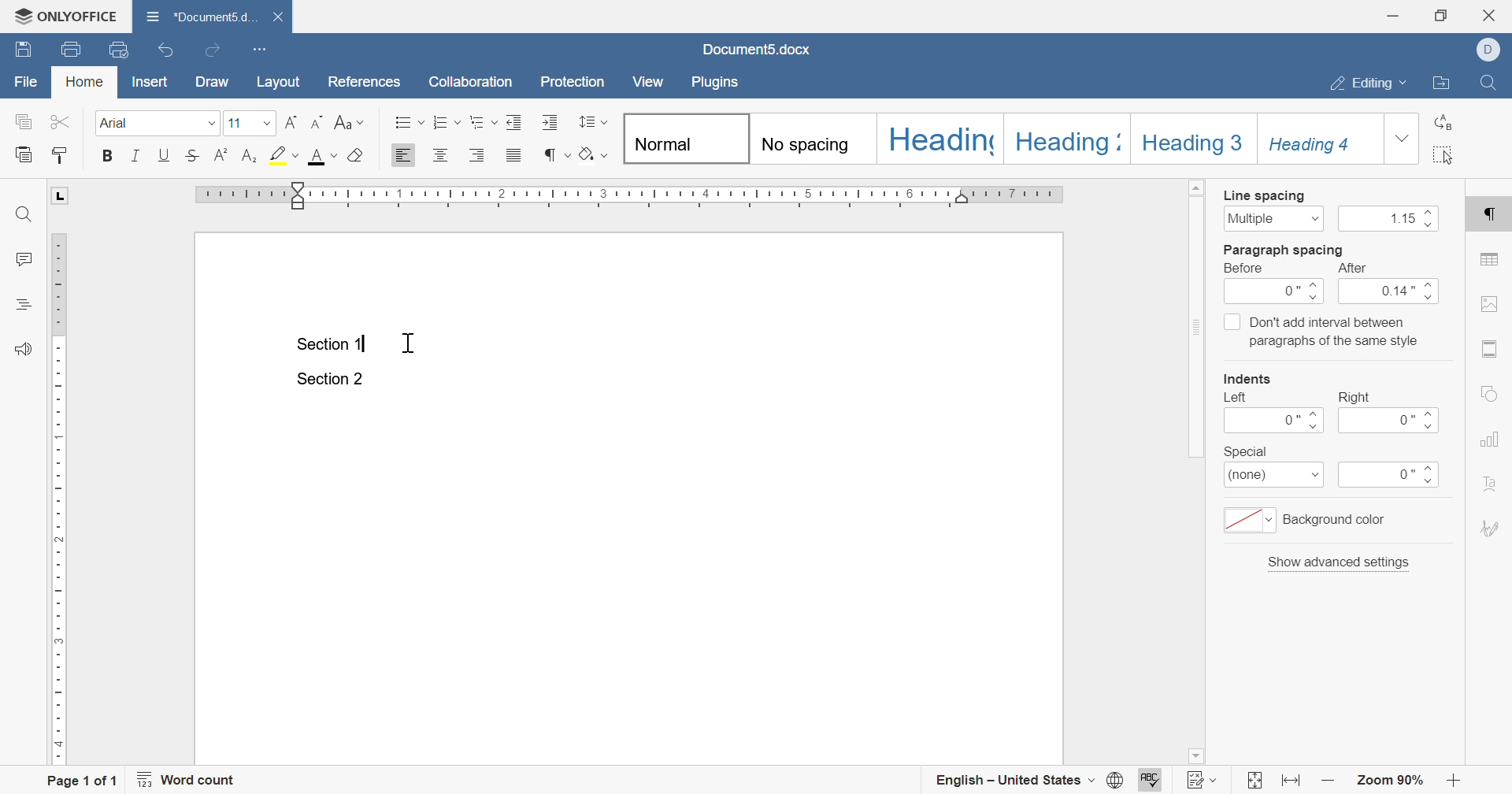  What do you see at coordinates (574, 82) in the screenshot?
I see `protection` at bounding box center [574, 82].